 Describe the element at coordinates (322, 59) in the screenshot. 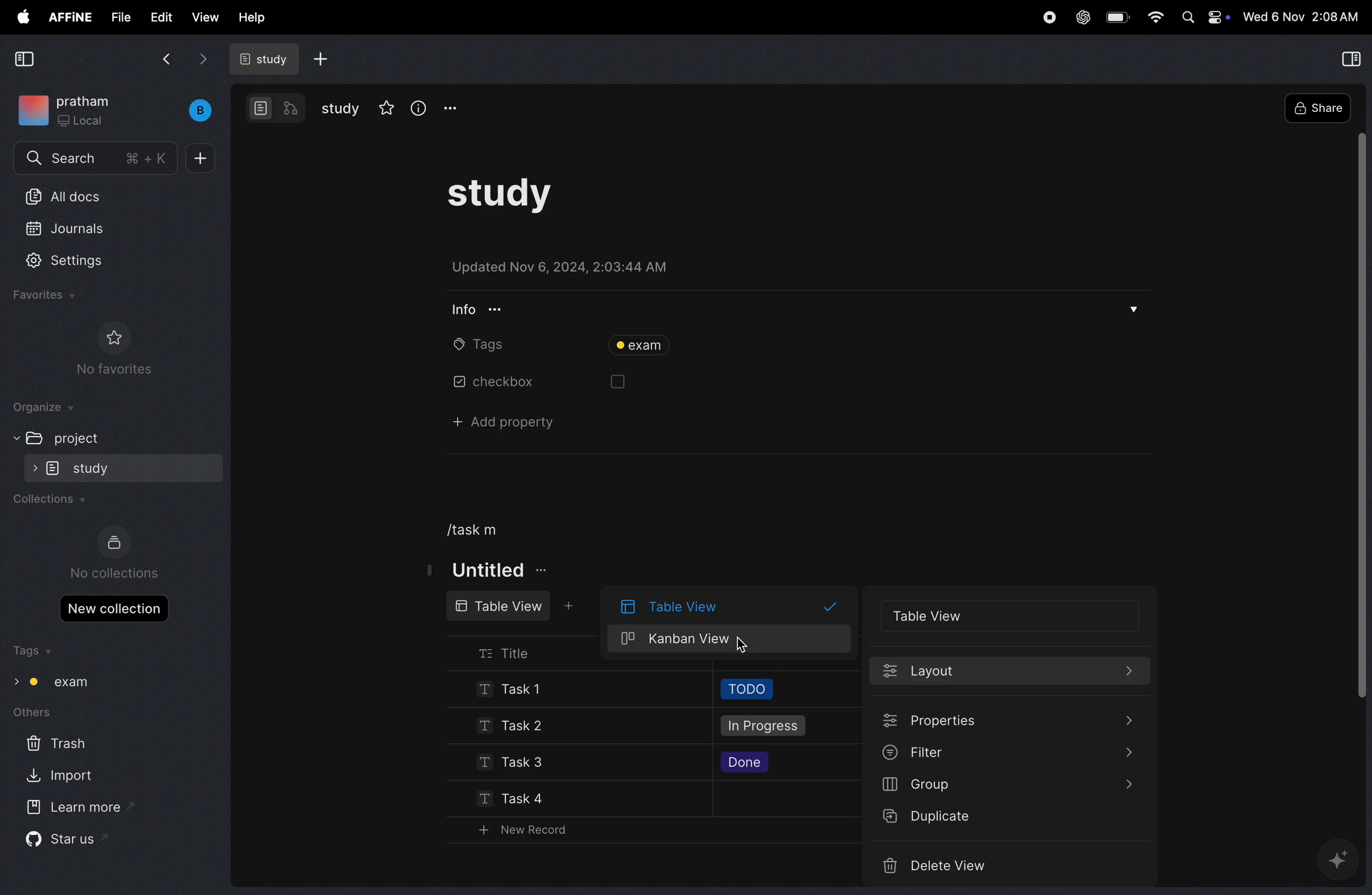

I see `add` at that location.